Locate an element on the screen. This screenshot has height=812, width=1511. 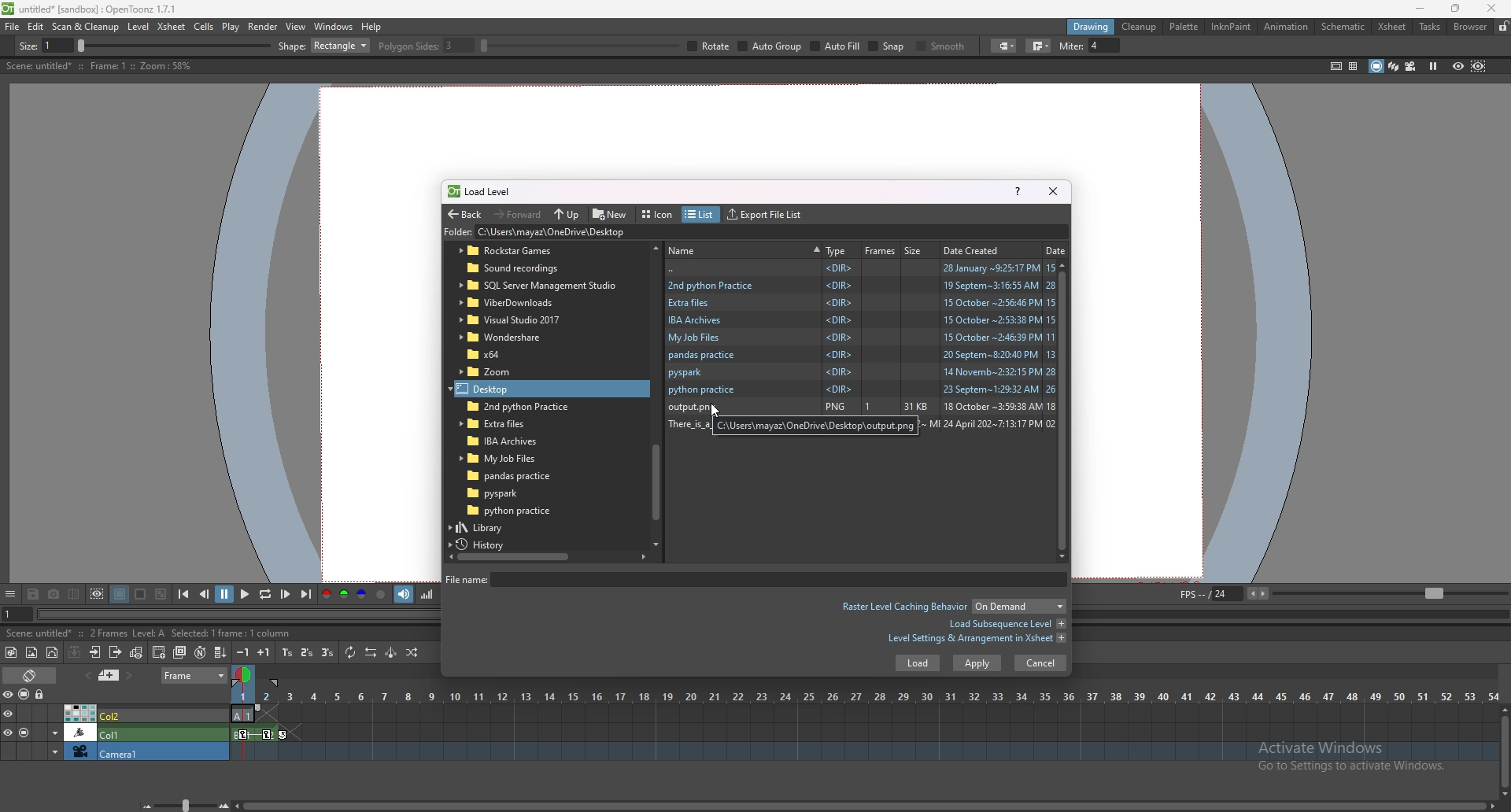
timeline is located at coordinates (864, 714).